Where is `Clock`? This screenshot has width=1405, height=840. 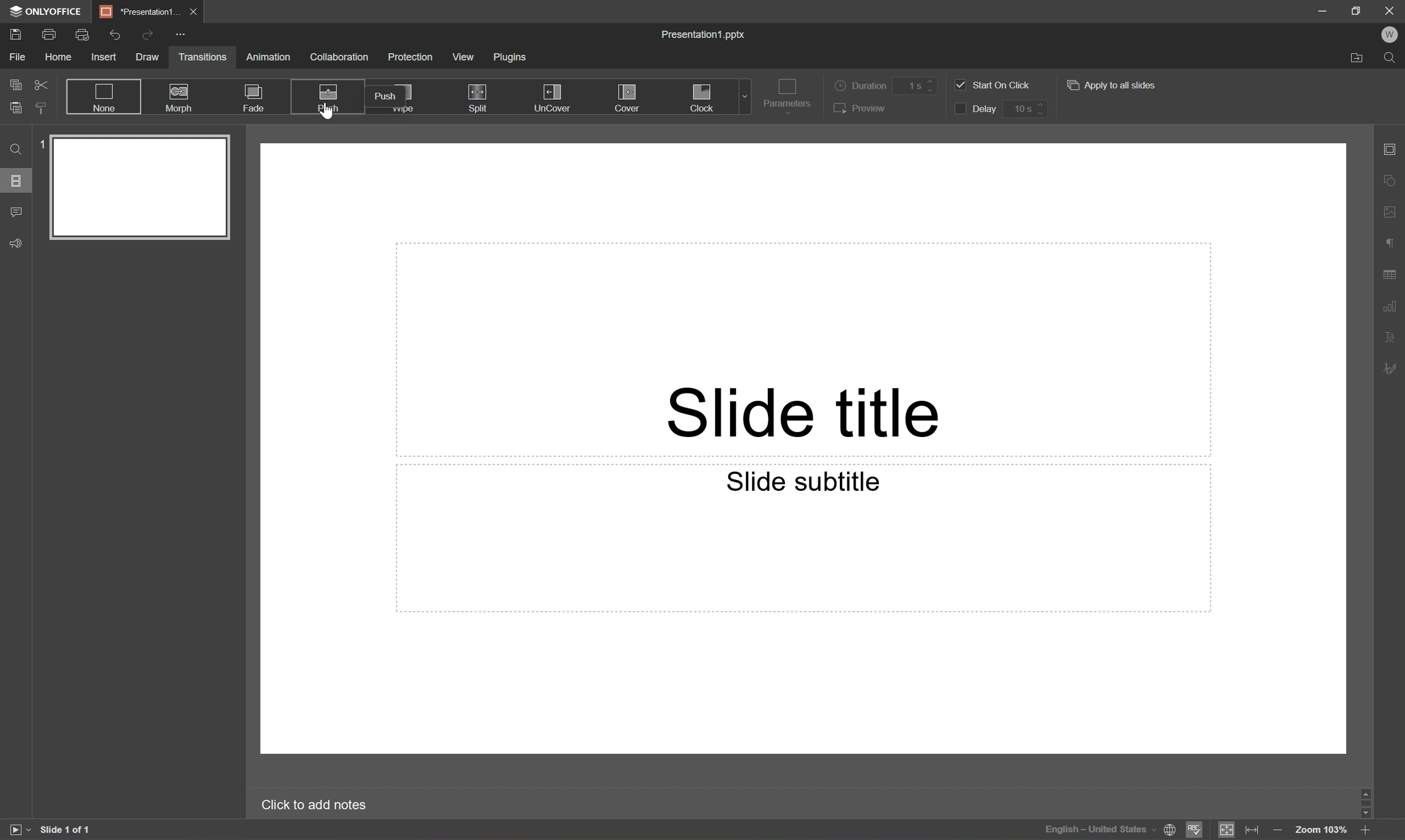
Clock is located at coordinates (703, 97).